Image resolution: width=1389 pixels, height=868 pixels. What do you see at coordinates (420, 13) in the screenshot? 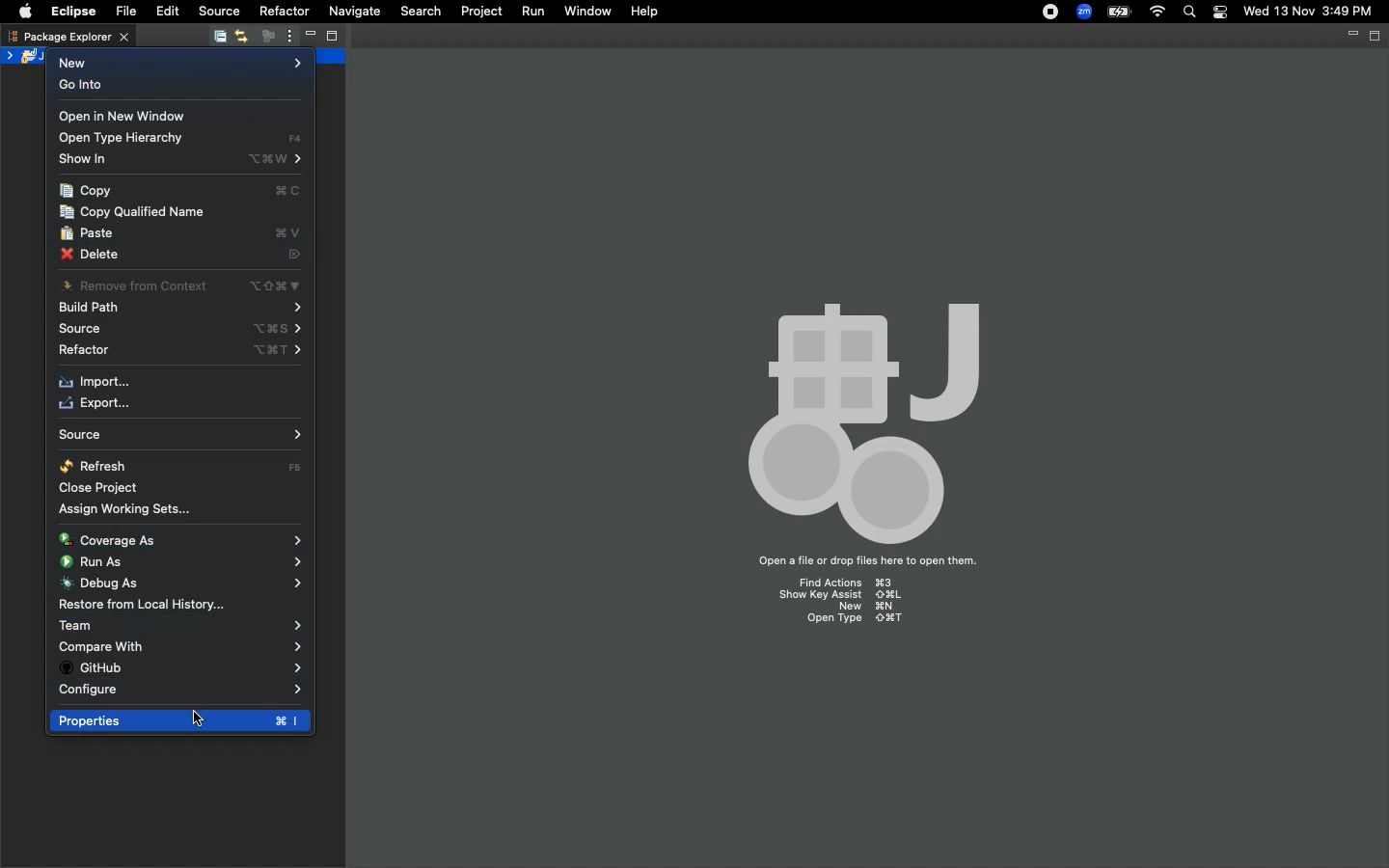
I see `Search` at bounding box center [420, 13].